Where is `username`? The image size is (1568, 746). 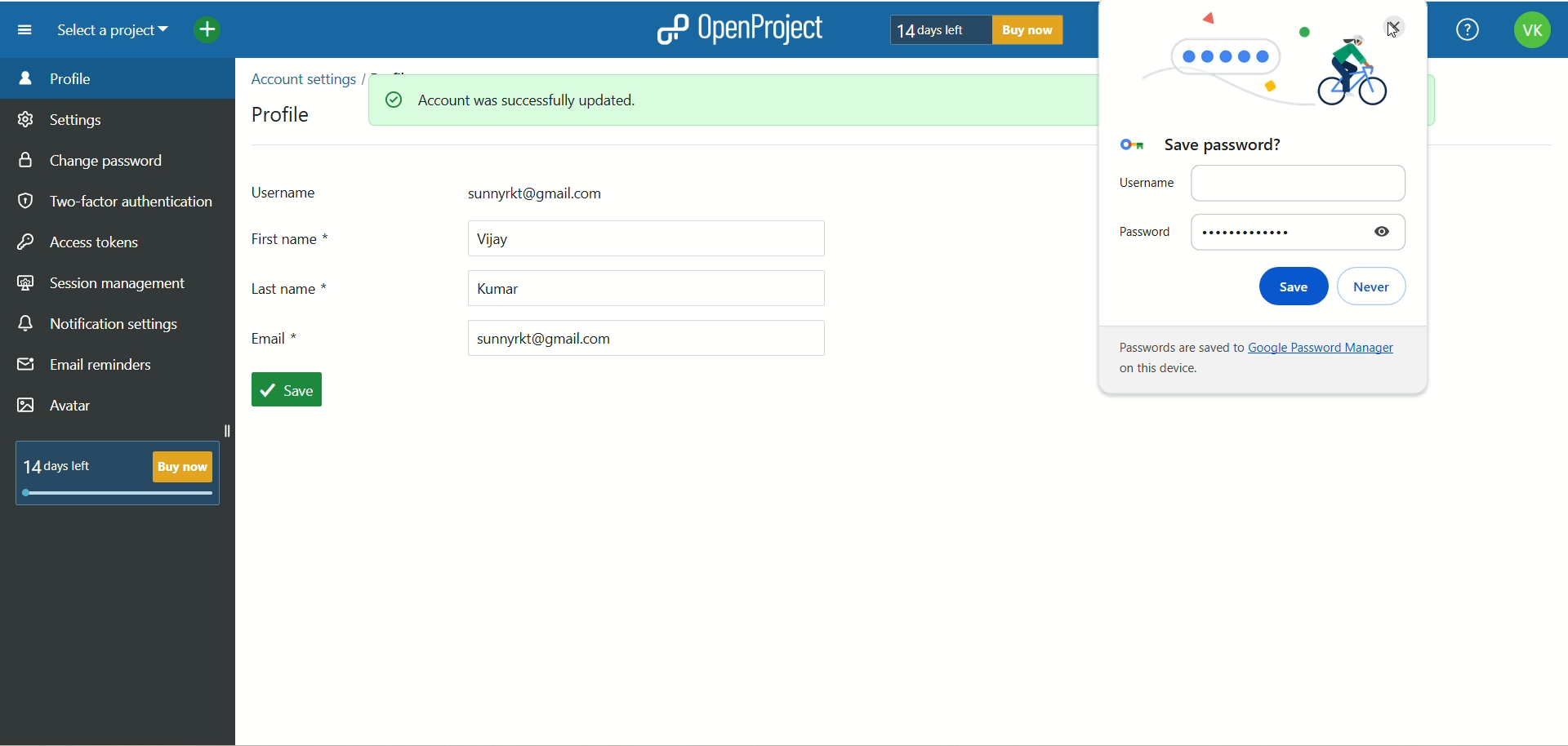
username is located at coordinates (1258, 182).